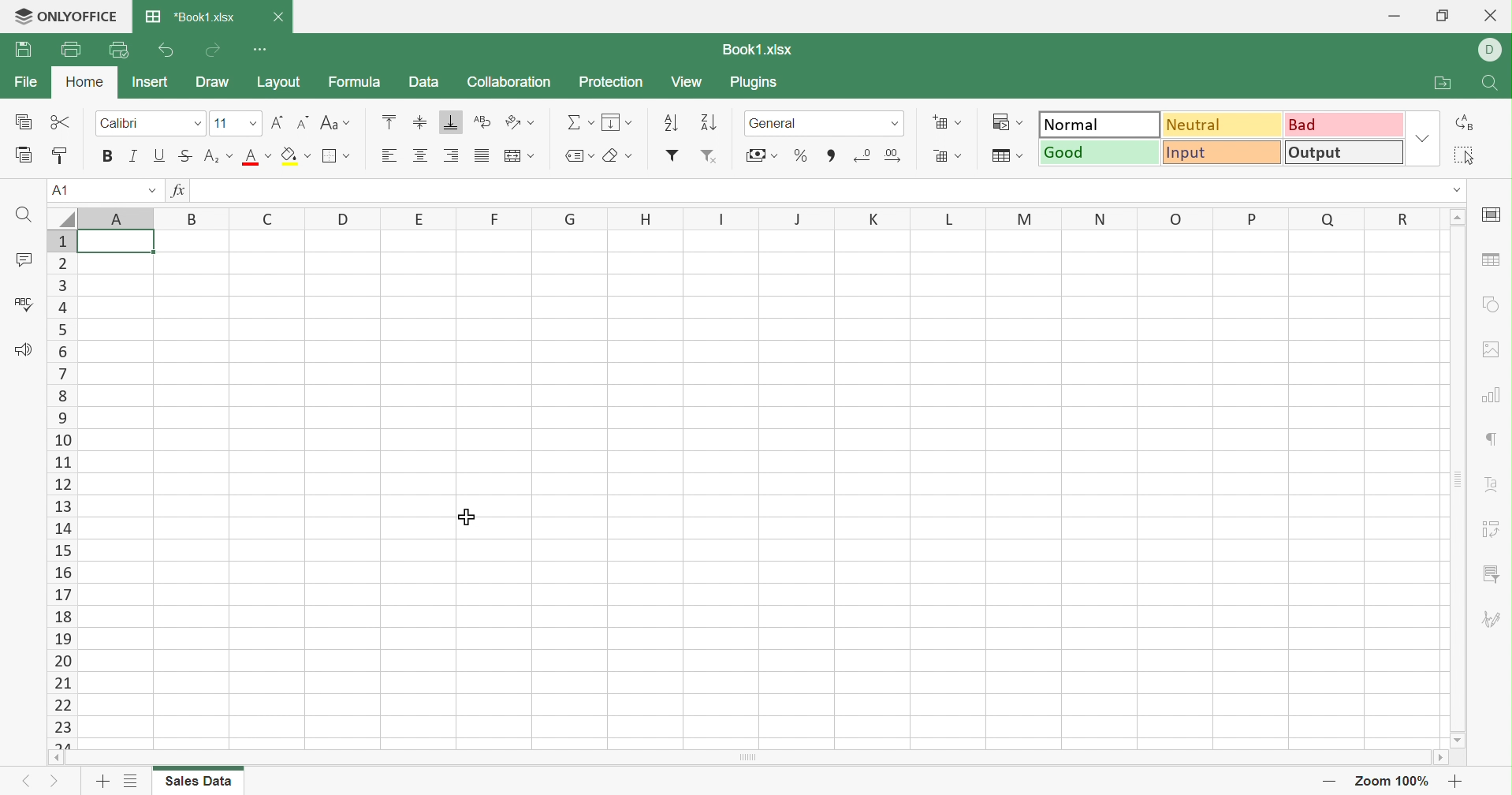 Image resolution: width=1512 pixels, height=795 pixels. Describe the element at coordinates (1444, 17) in the screenshot. I see `Restore Down` at that location.